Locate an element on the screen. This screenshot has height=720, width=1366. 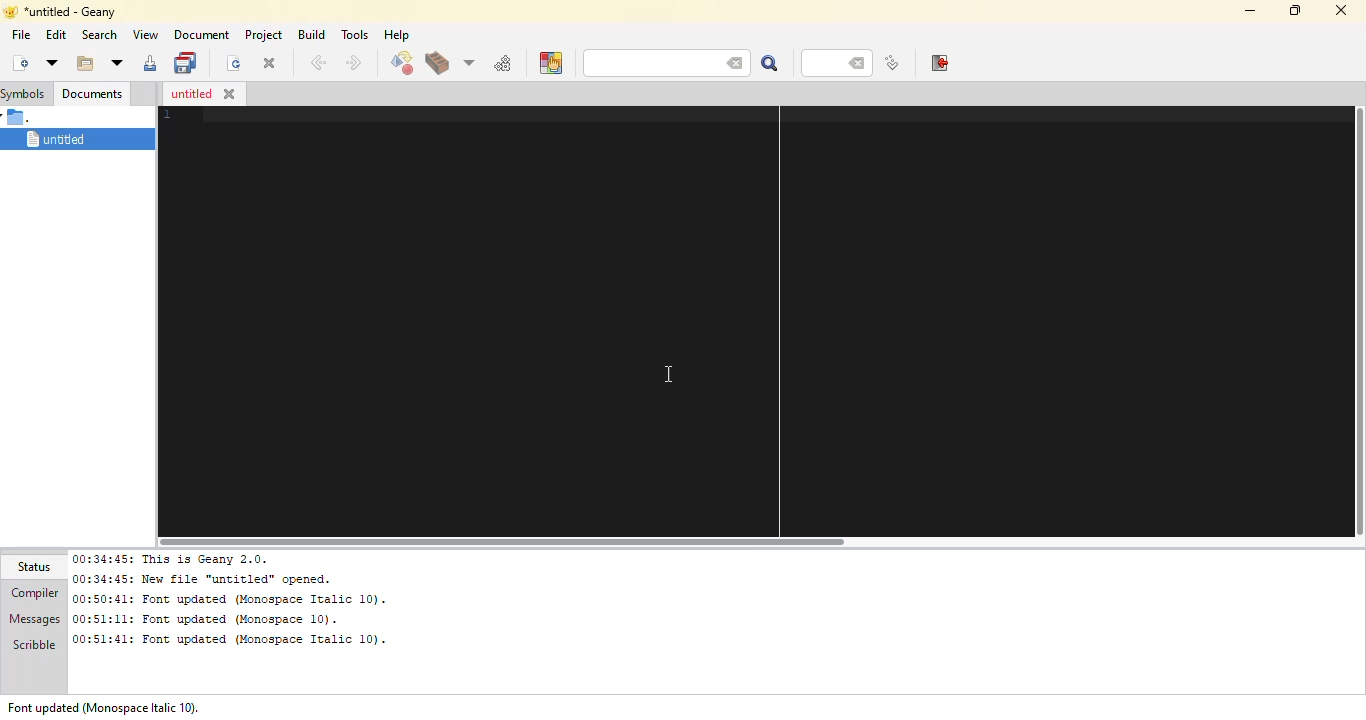
exit is located at coordinates (938, 63).